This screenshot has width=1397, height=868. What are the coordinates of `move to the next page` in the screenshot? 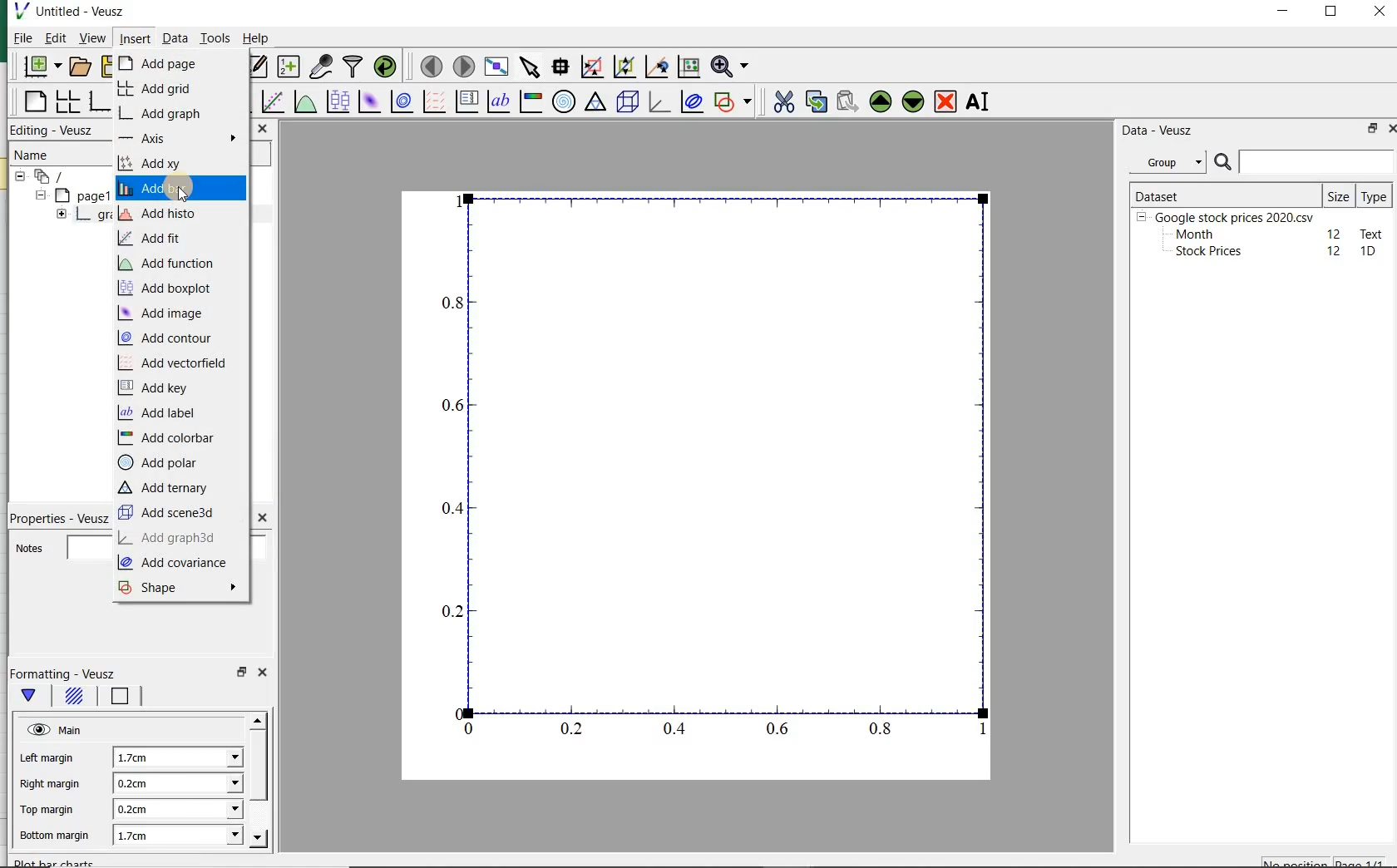 It's located at (464, 67).